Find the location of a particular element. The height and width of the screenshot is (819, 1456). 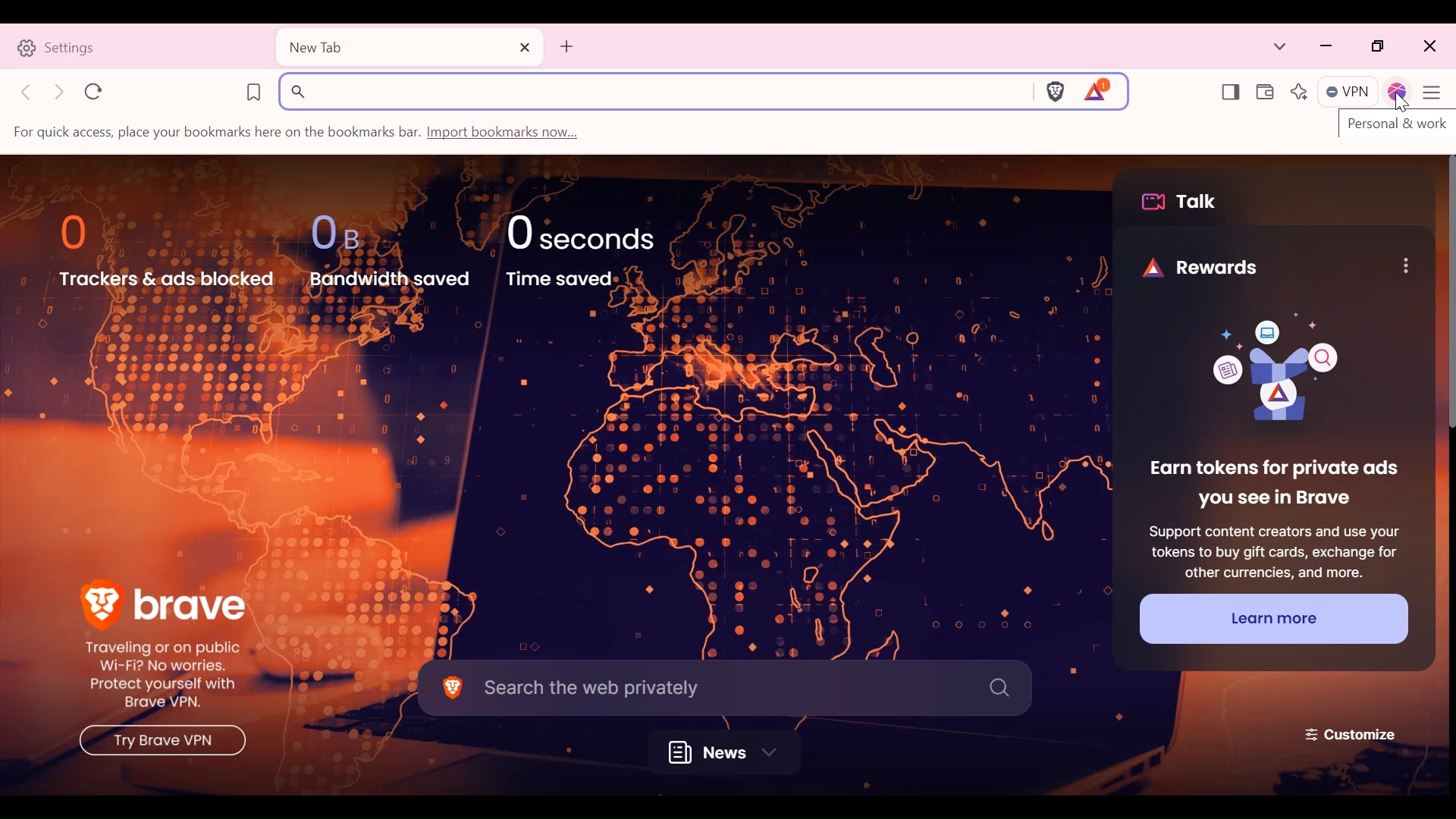

Earn tokens for private ads you see in breave is located at coordinates (1272, 485).